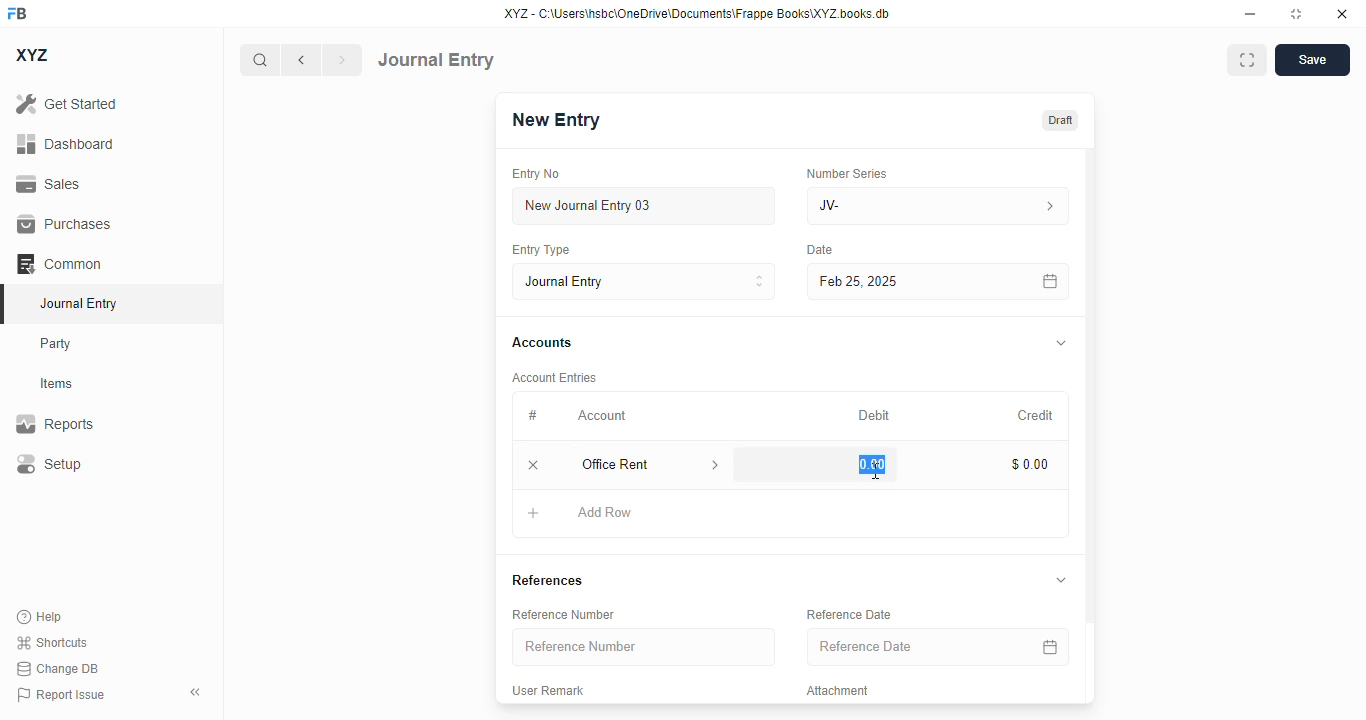 The image size is (1366, 720). What do you see at coordinates (547, 580) in the screenshot?
I see `references` at bounding box center [547, 580].